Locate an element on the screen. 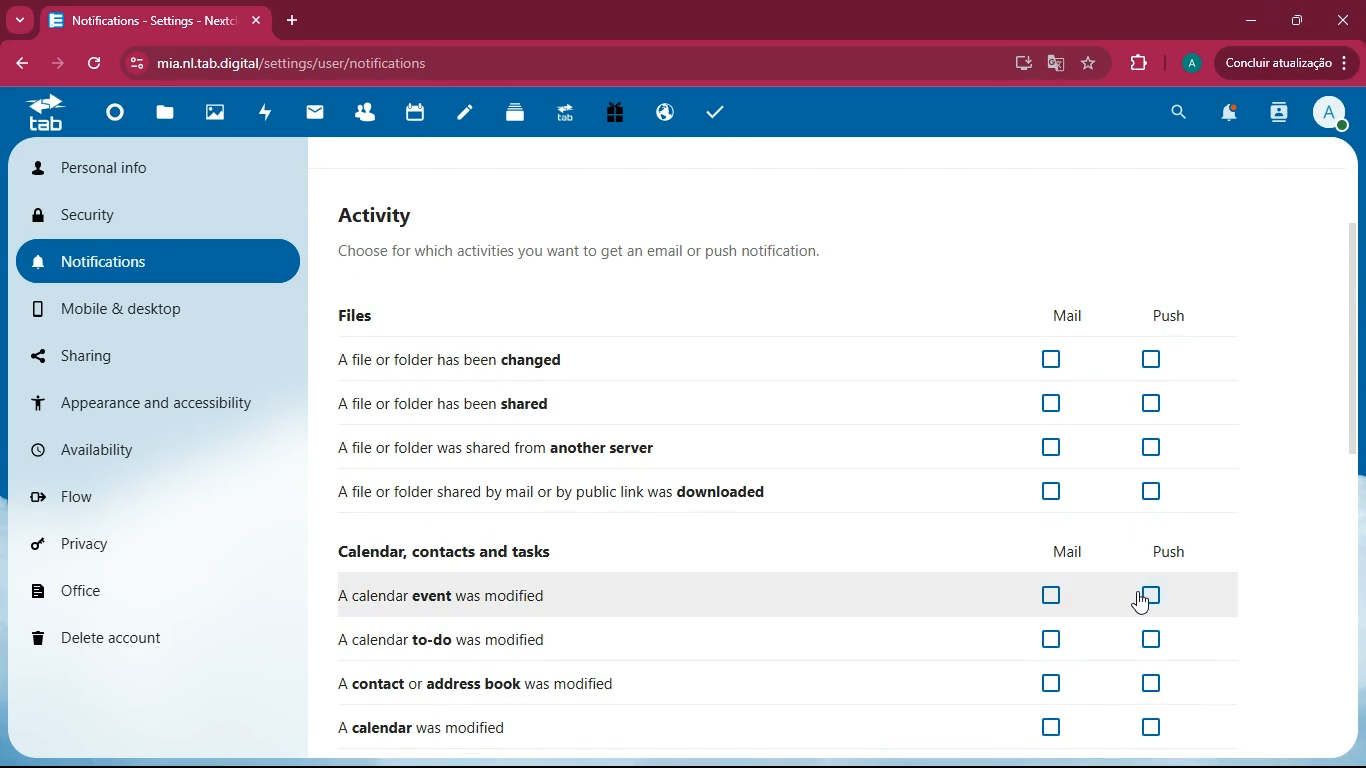  checkbox is located at coordinates (1050, 360).